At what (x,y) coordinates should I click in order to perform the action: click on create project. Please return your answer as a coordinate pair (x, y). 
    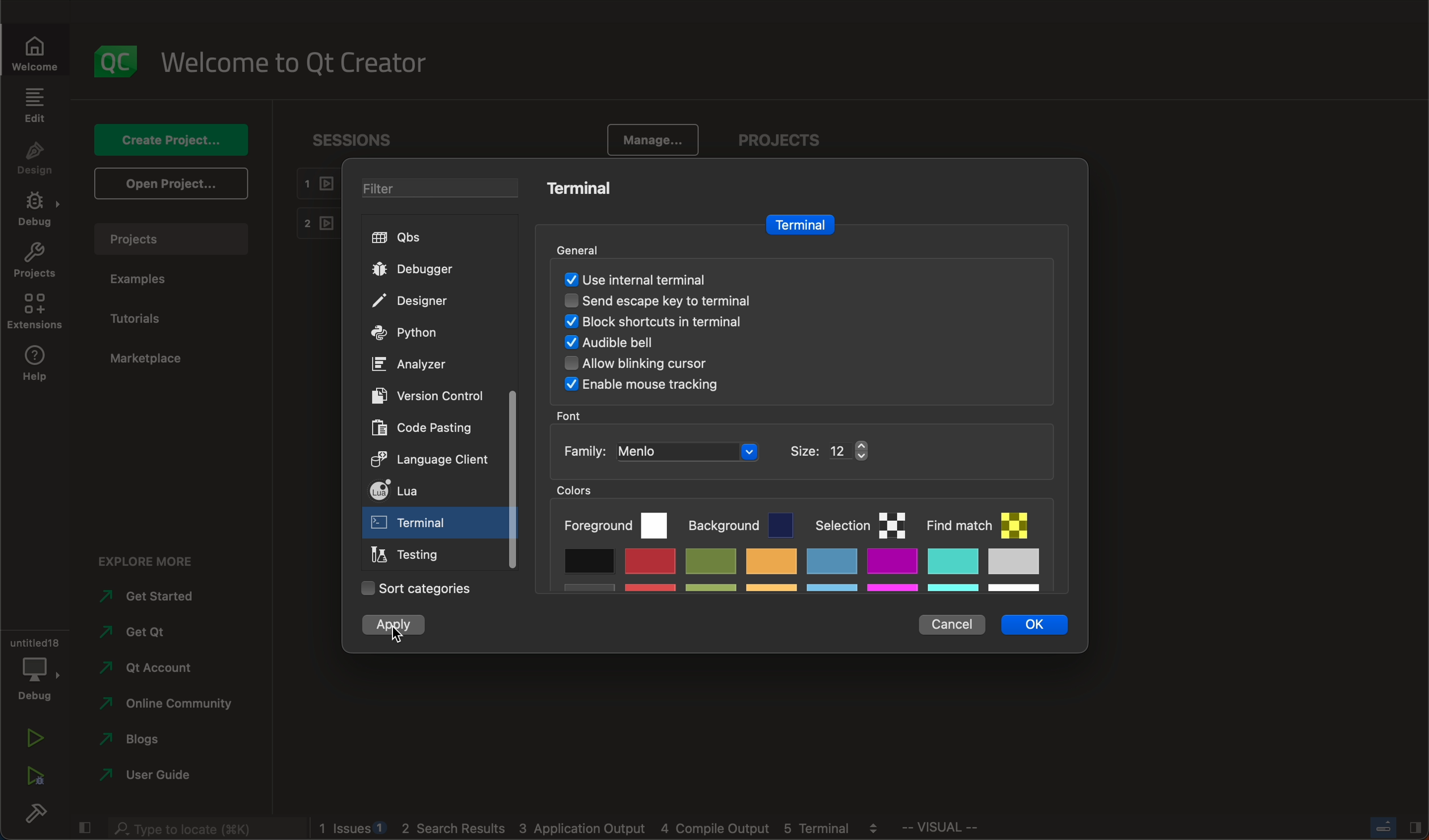
    Looking at the image, I should click on (171, 138).